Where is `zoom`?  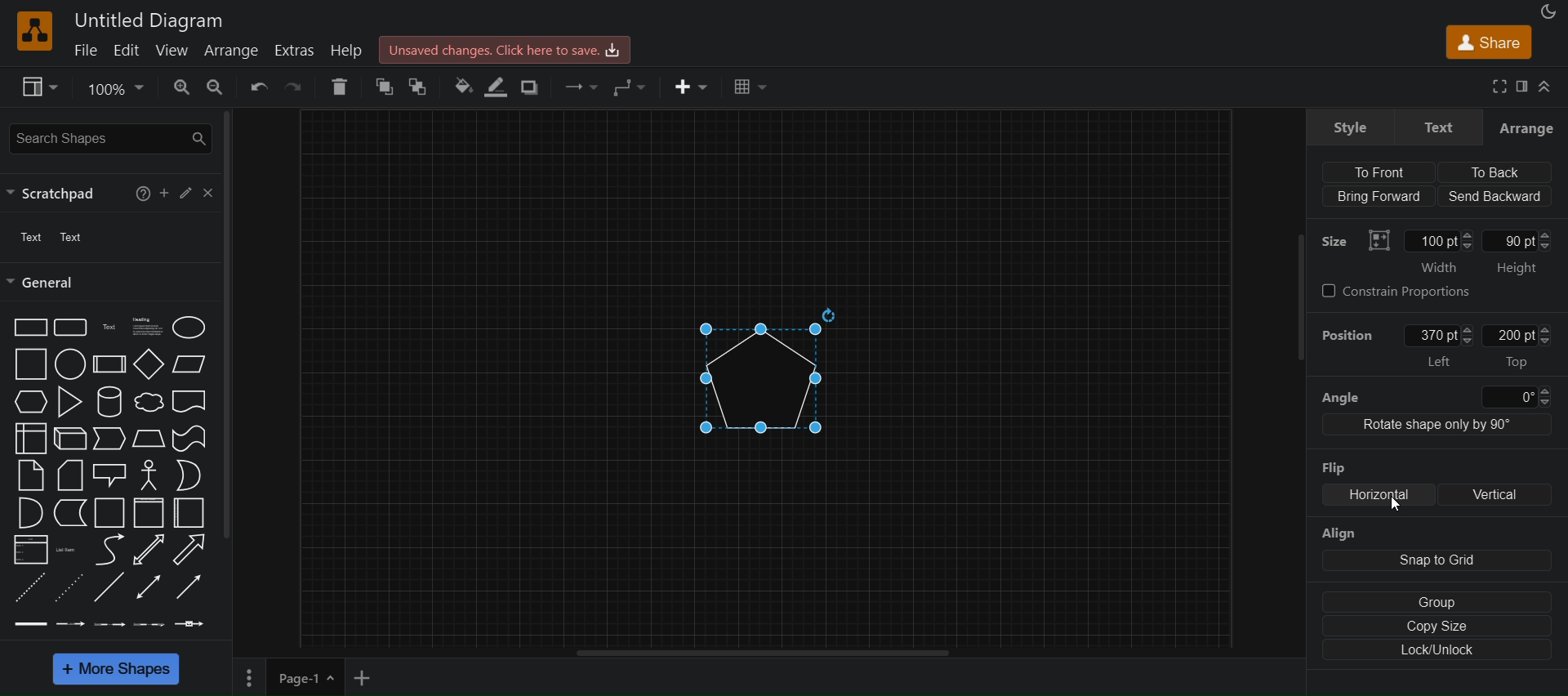
zoom is located at coordinates (182, 88).